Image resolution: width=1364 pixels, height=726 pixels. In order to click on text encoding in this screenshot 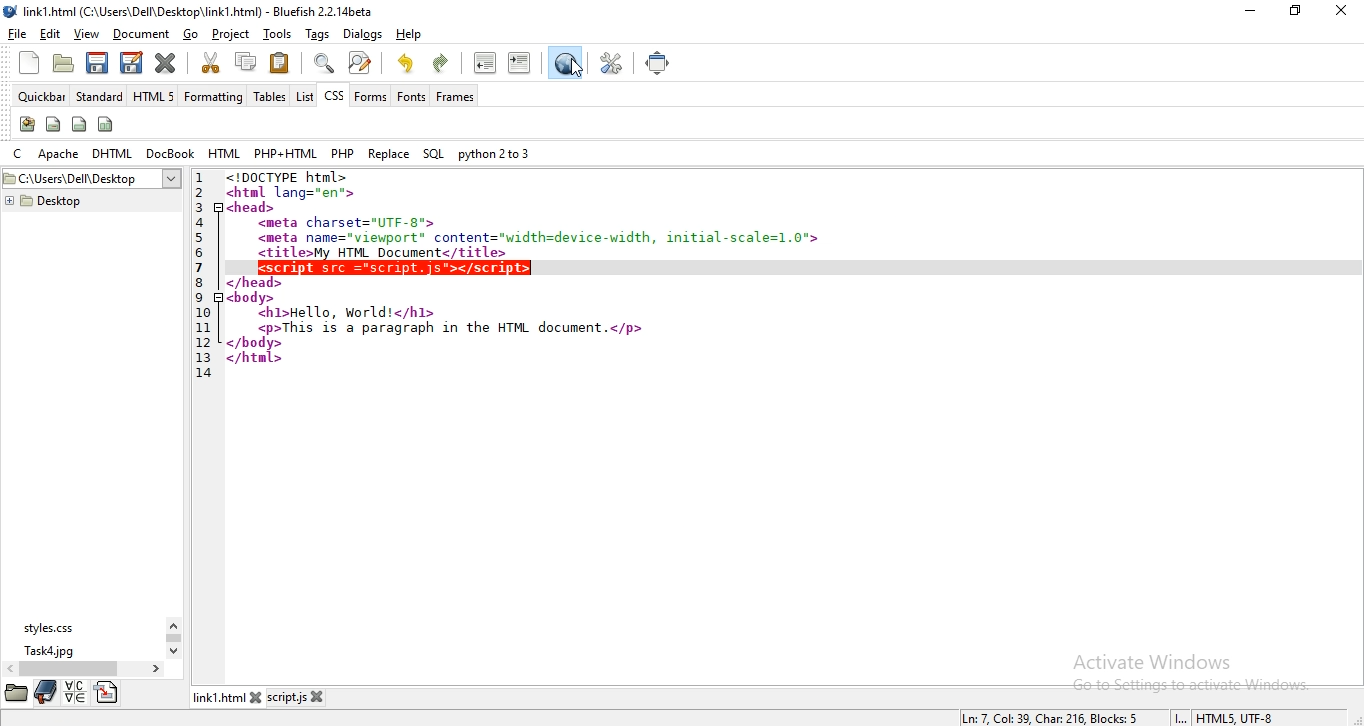, I will do `click(1235, 717)`.